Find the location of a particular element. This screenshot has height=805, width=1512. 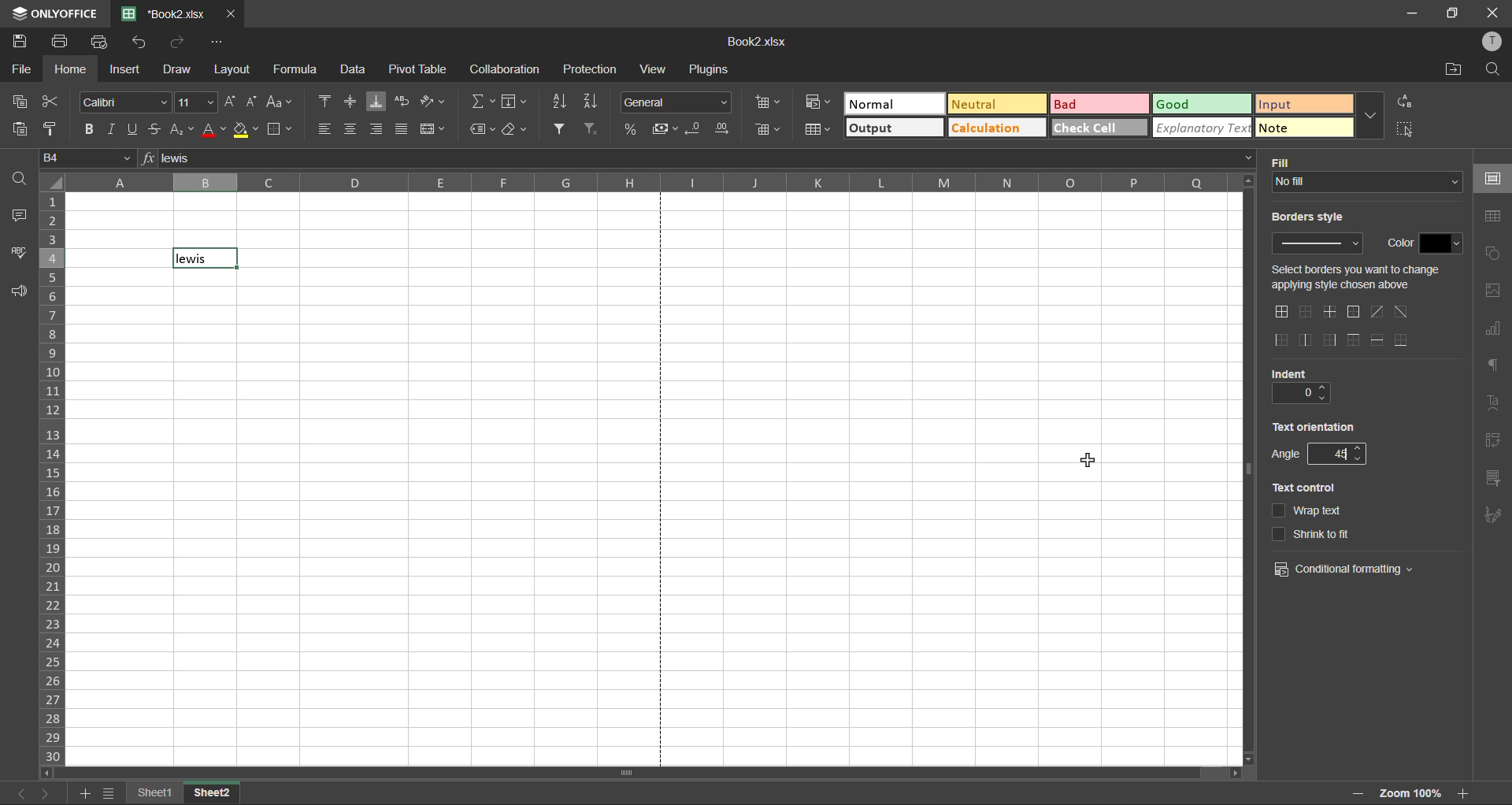

borders is located at coordinates (280, 132).